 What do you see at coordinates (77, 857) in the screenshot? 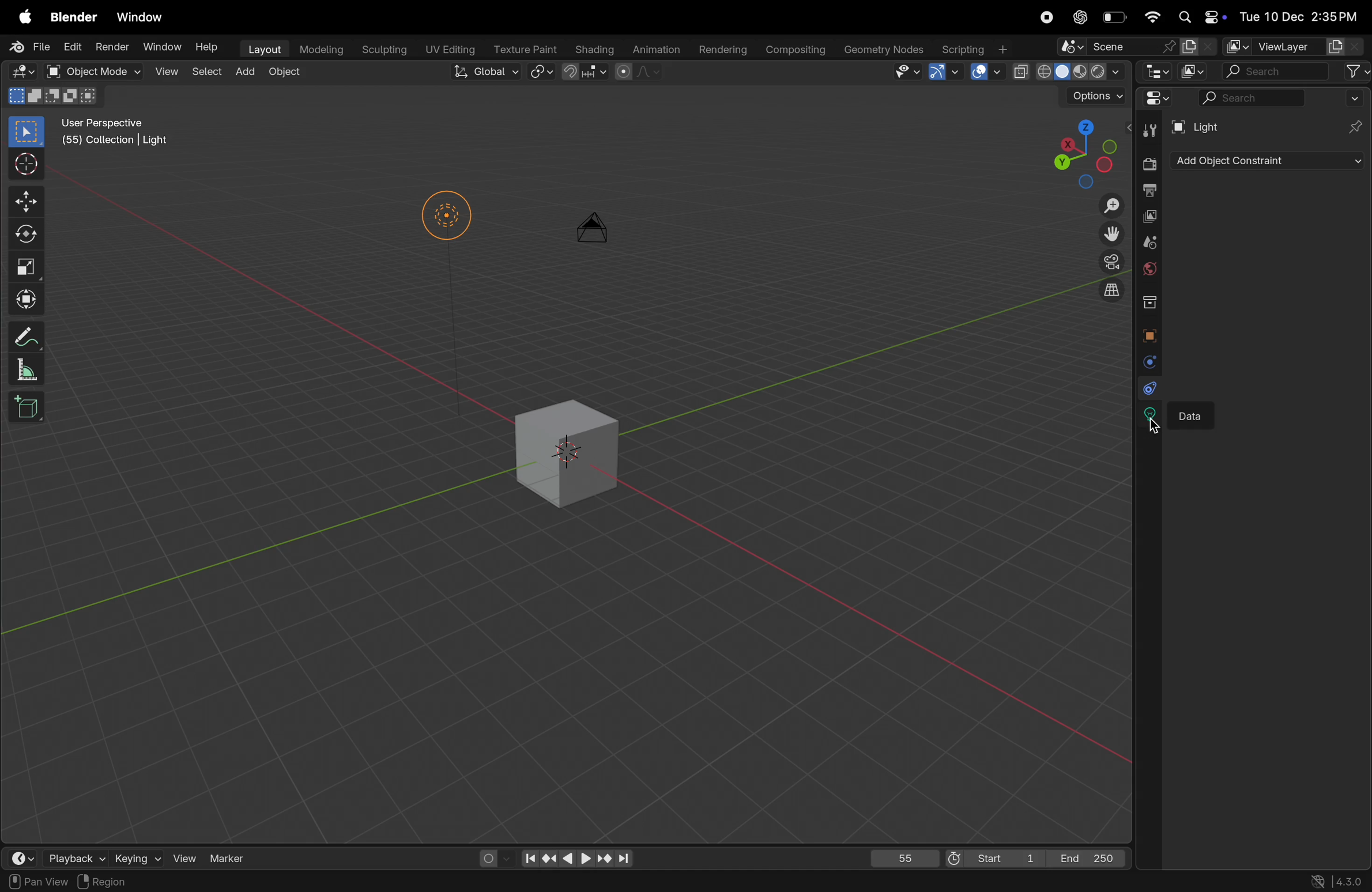
I see `playback` at bounding box center [77, 857].